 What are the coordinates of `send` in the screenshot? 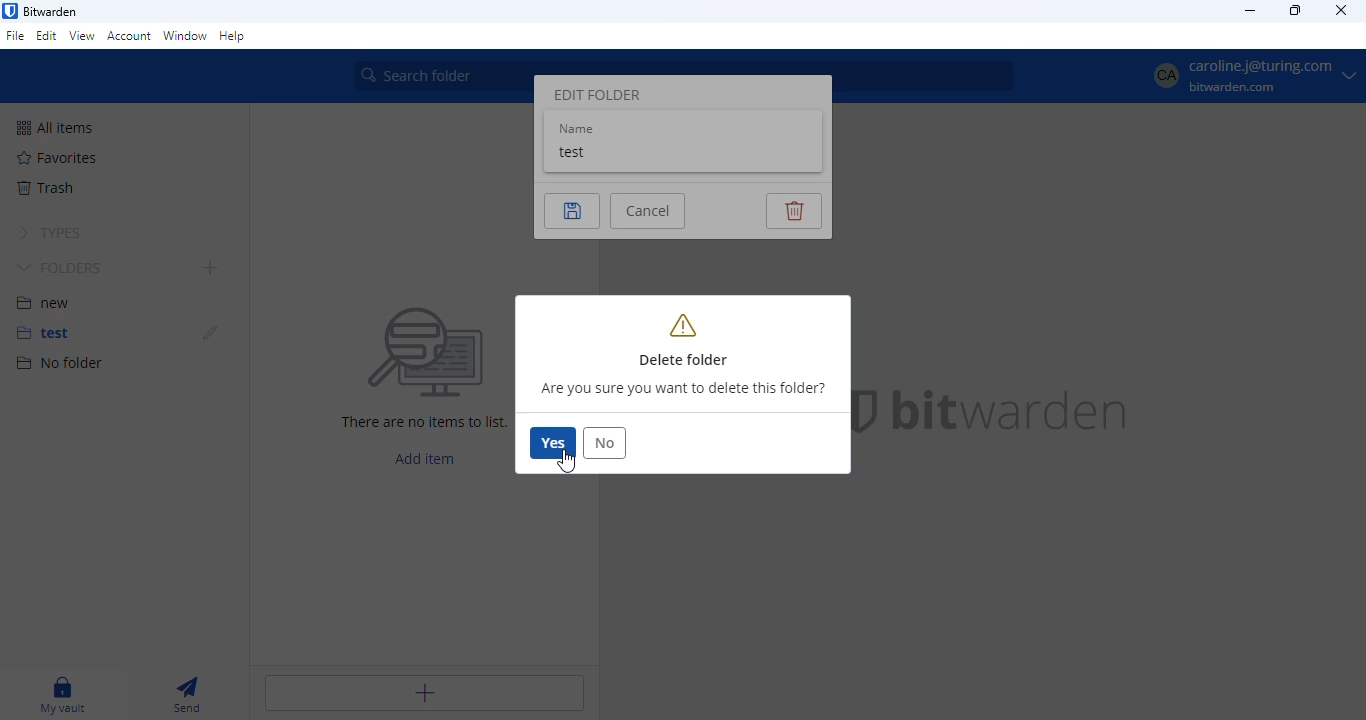 It's located at (189, 695).